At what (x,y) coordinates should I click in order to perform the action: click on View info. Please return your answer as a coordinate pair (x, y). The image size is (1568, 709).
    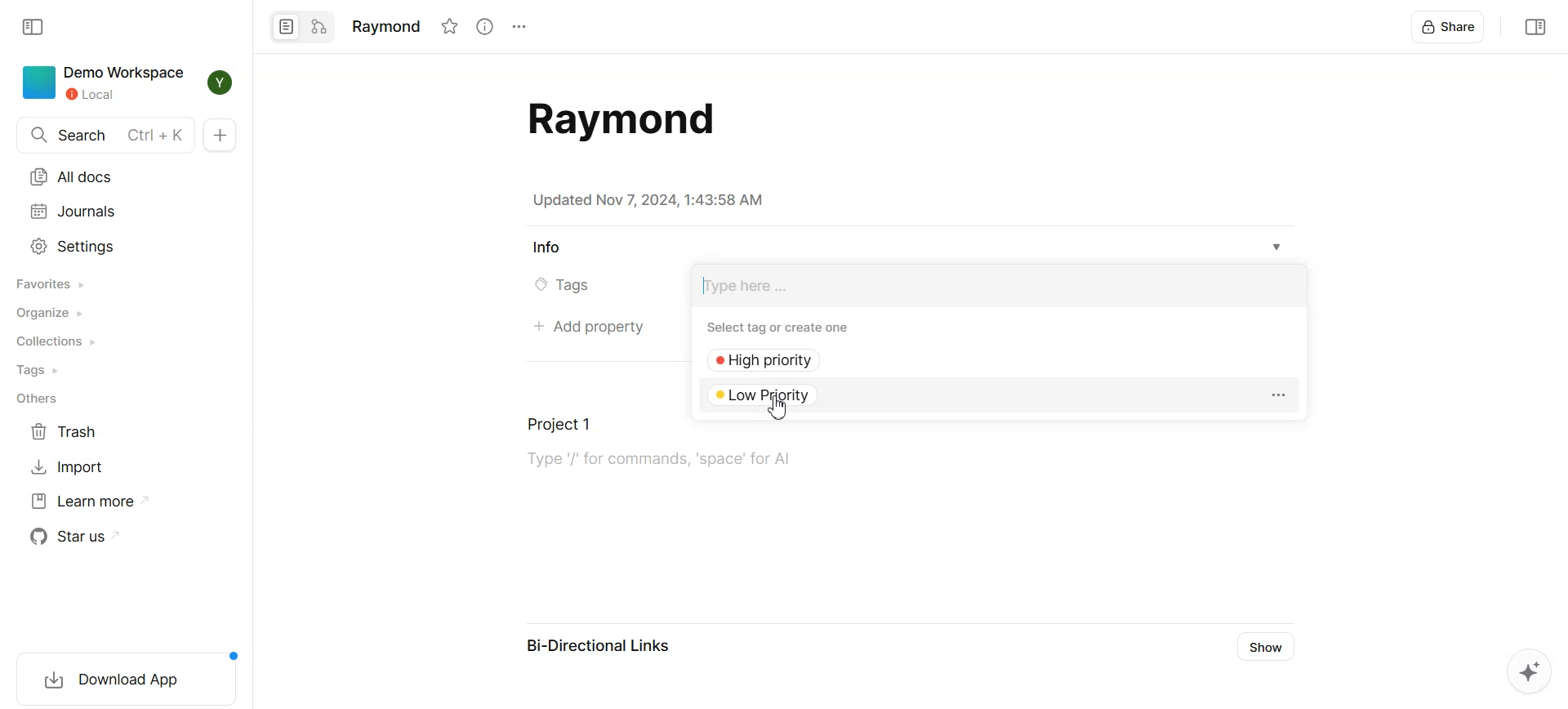
    Looking at the image, I should click on (483, 26).